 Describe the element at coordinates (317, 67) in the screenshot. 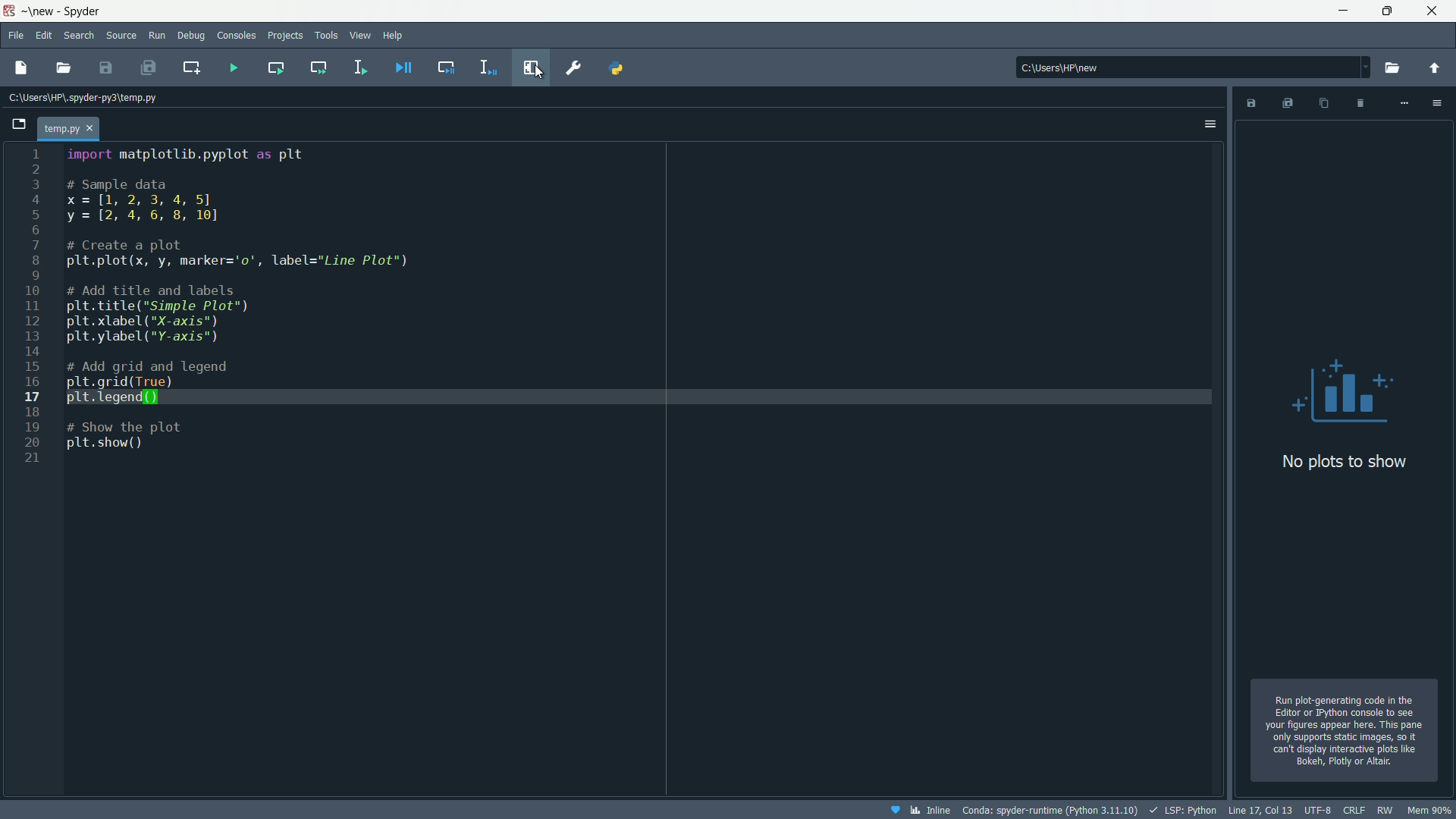

I see `run current cell and go to the next one` at that location.